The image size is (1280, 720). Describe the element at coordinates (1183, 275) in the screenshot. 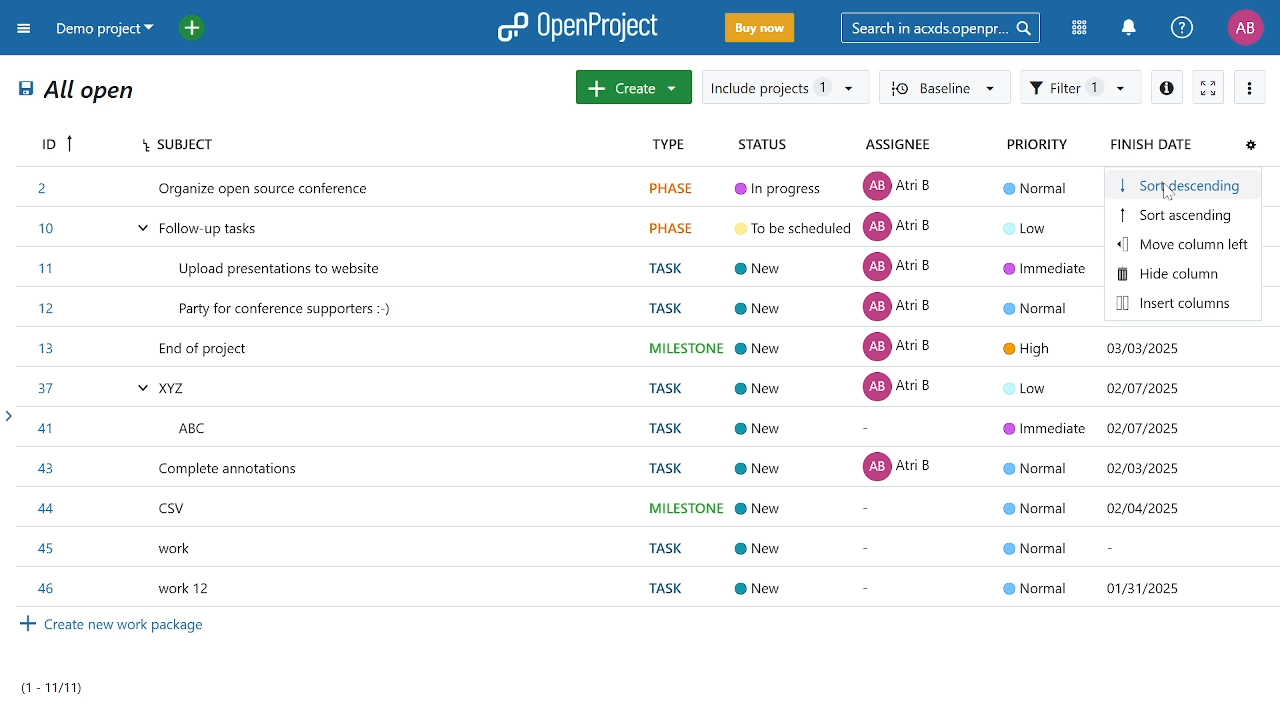

I see `hide column` at that location.